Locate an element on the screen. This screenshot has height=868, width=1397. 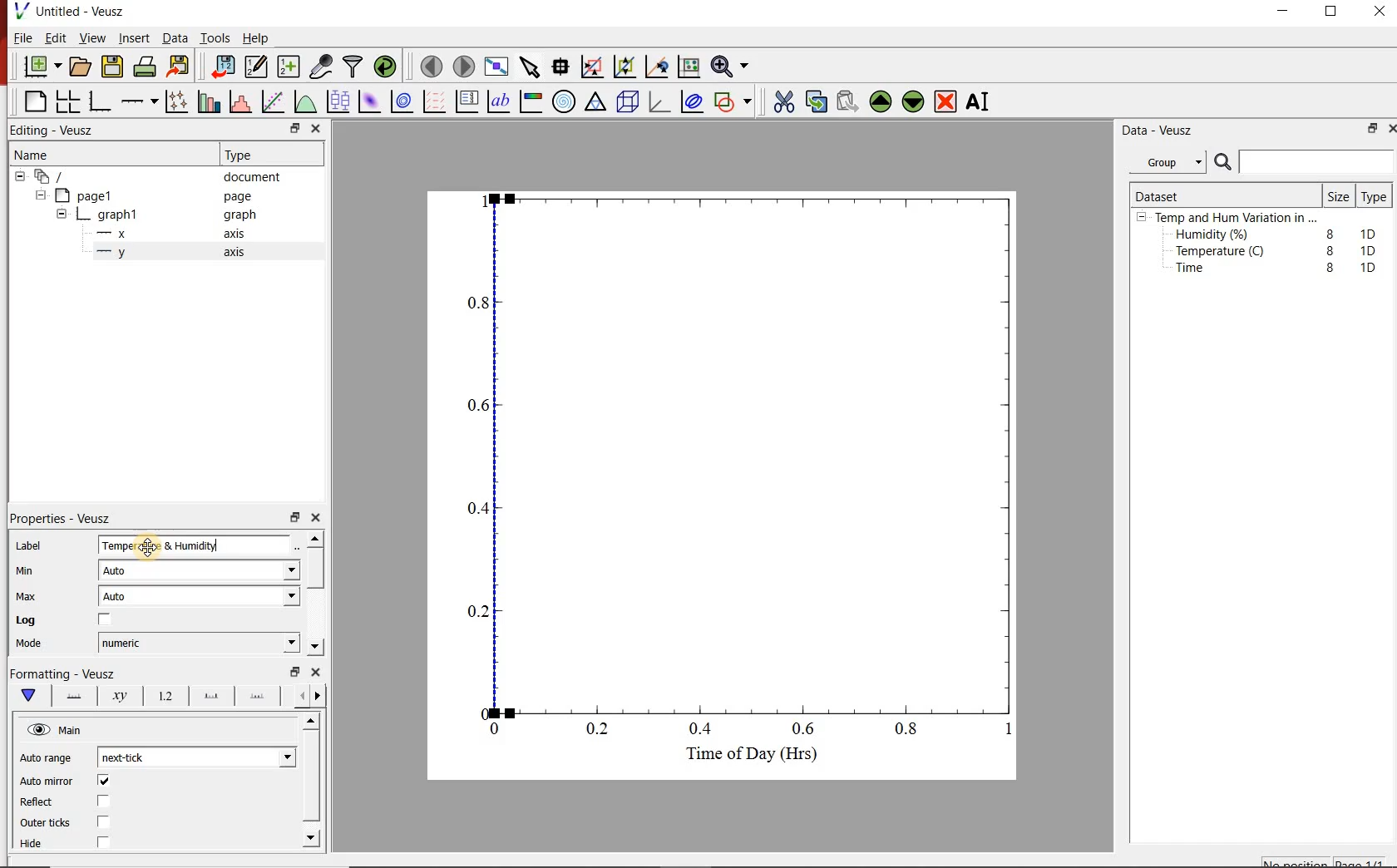
Insert is located at coordinates (131, 38).